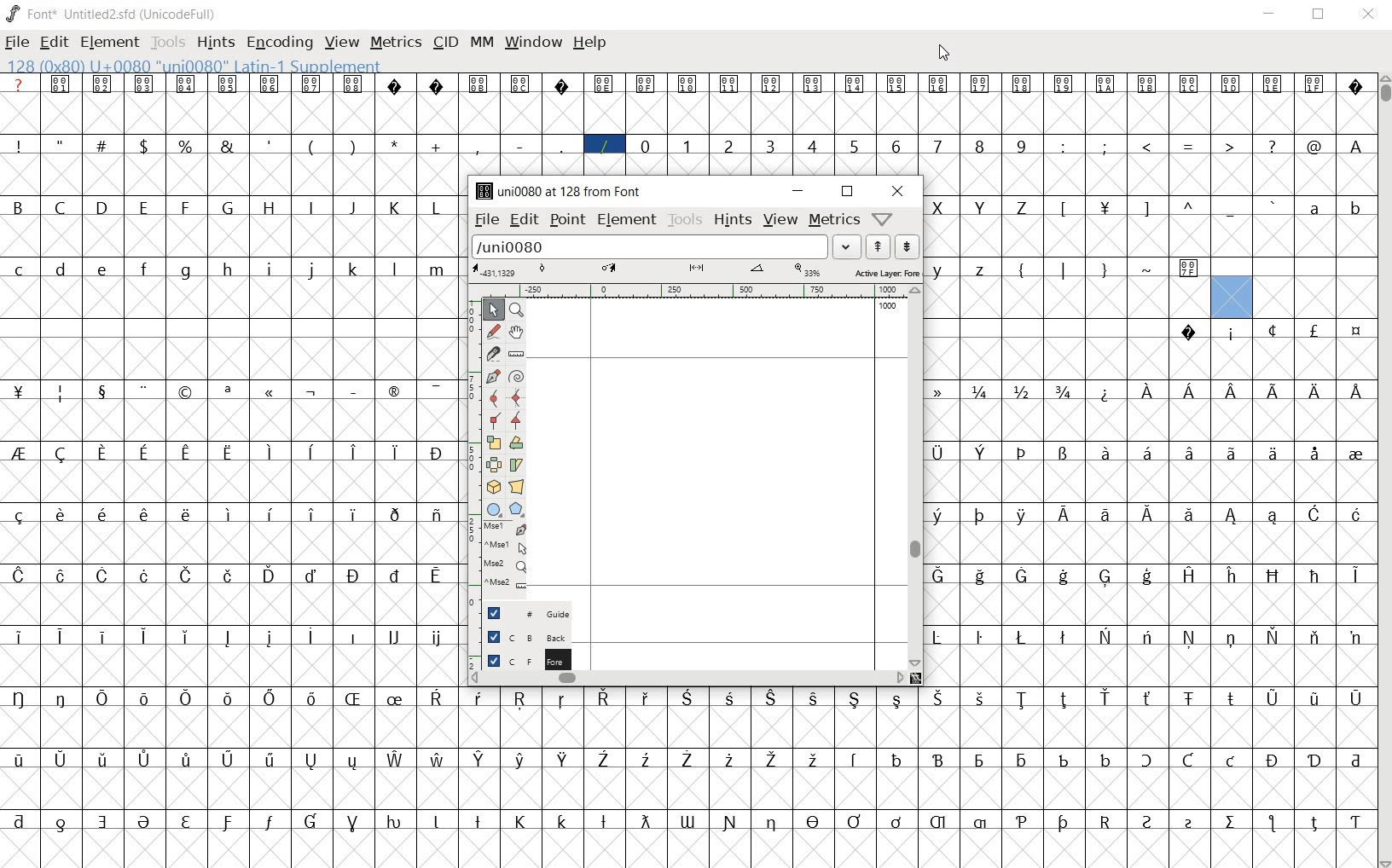 This screenshot has width=1392, height=868. Describe the element at coordinates (603, 84) in the screenshot. I see `glyph` at that location.